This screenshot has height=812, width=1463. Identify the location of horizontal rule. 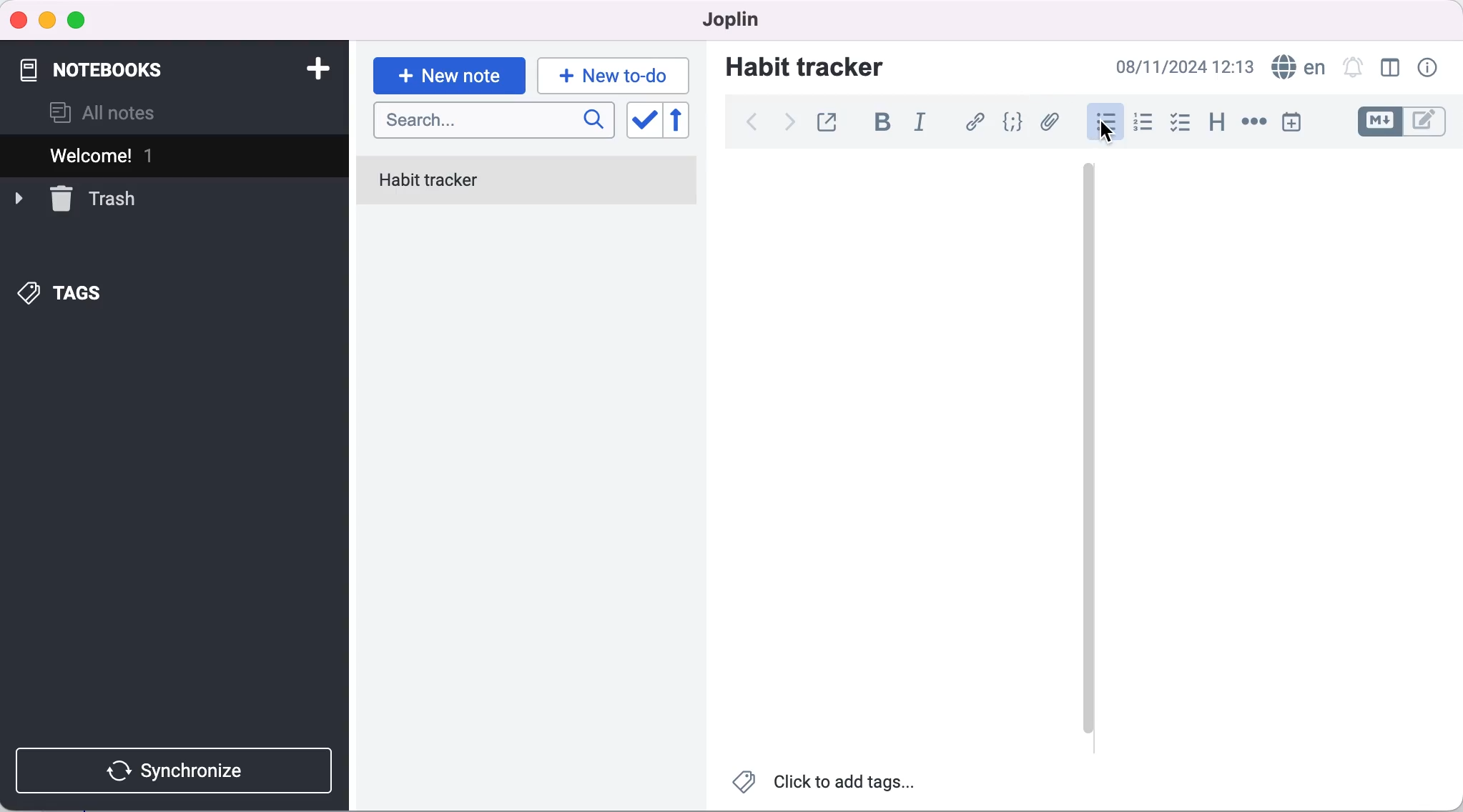
(1253, 123).